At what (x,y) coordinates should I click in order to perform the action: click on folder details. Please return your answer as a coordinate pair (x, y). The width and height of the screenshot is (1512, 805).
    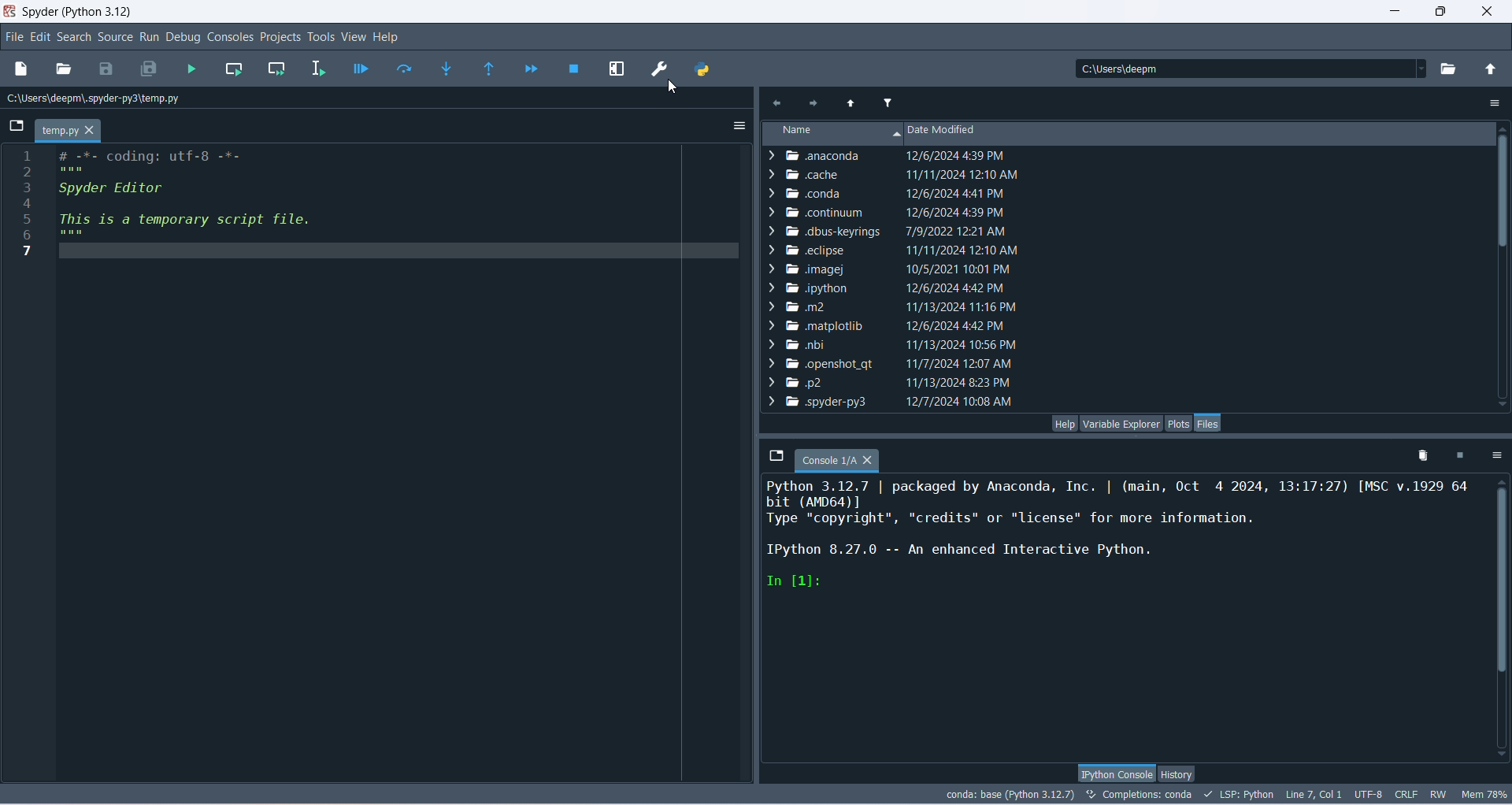
    Looking at the image, I should click on (891, 325).